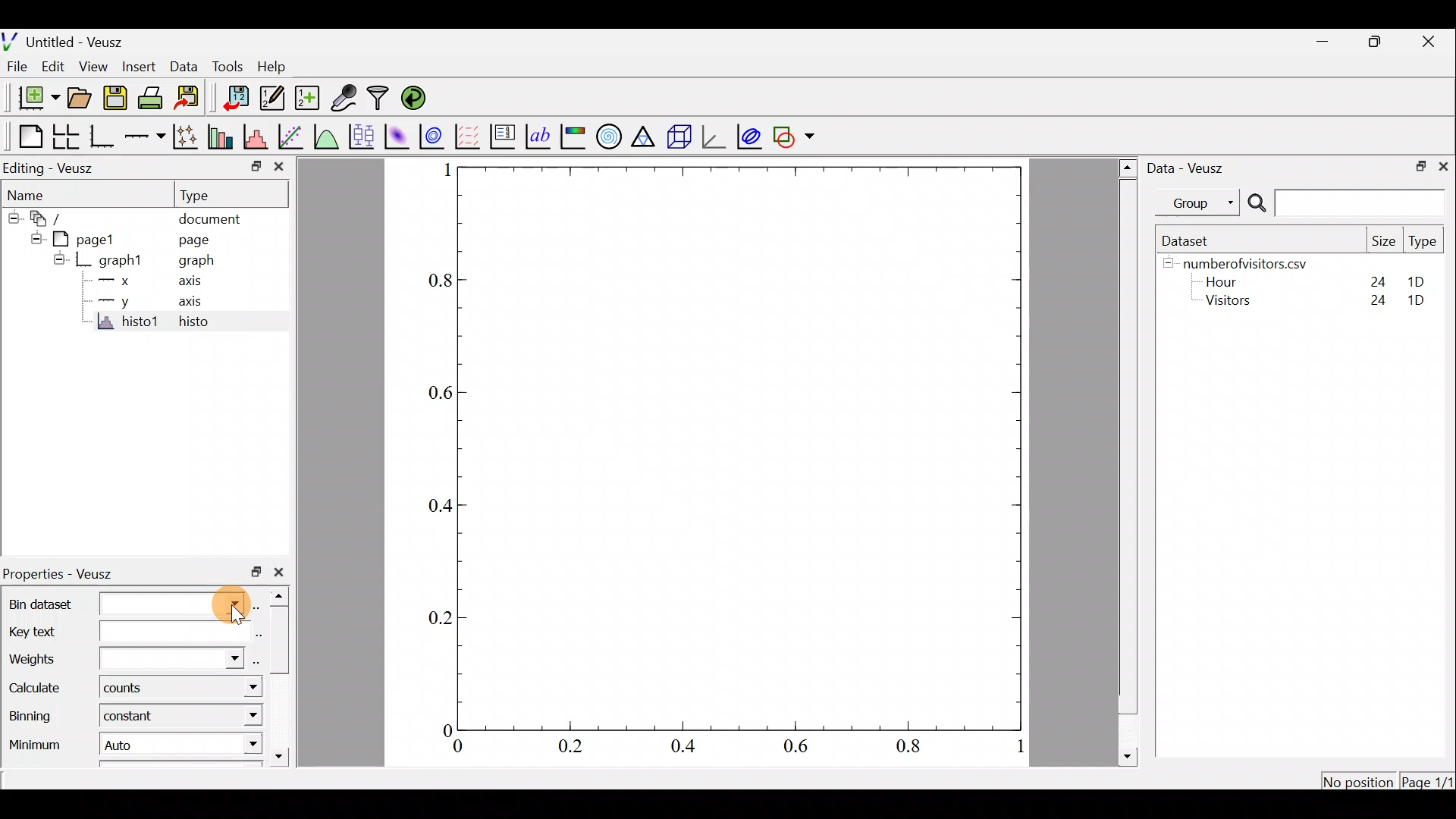 The width and height of the screenshot is (1456, 819). Describe the element at coordinates (1198, 205) in the screenshot. I see `Group` at that location.